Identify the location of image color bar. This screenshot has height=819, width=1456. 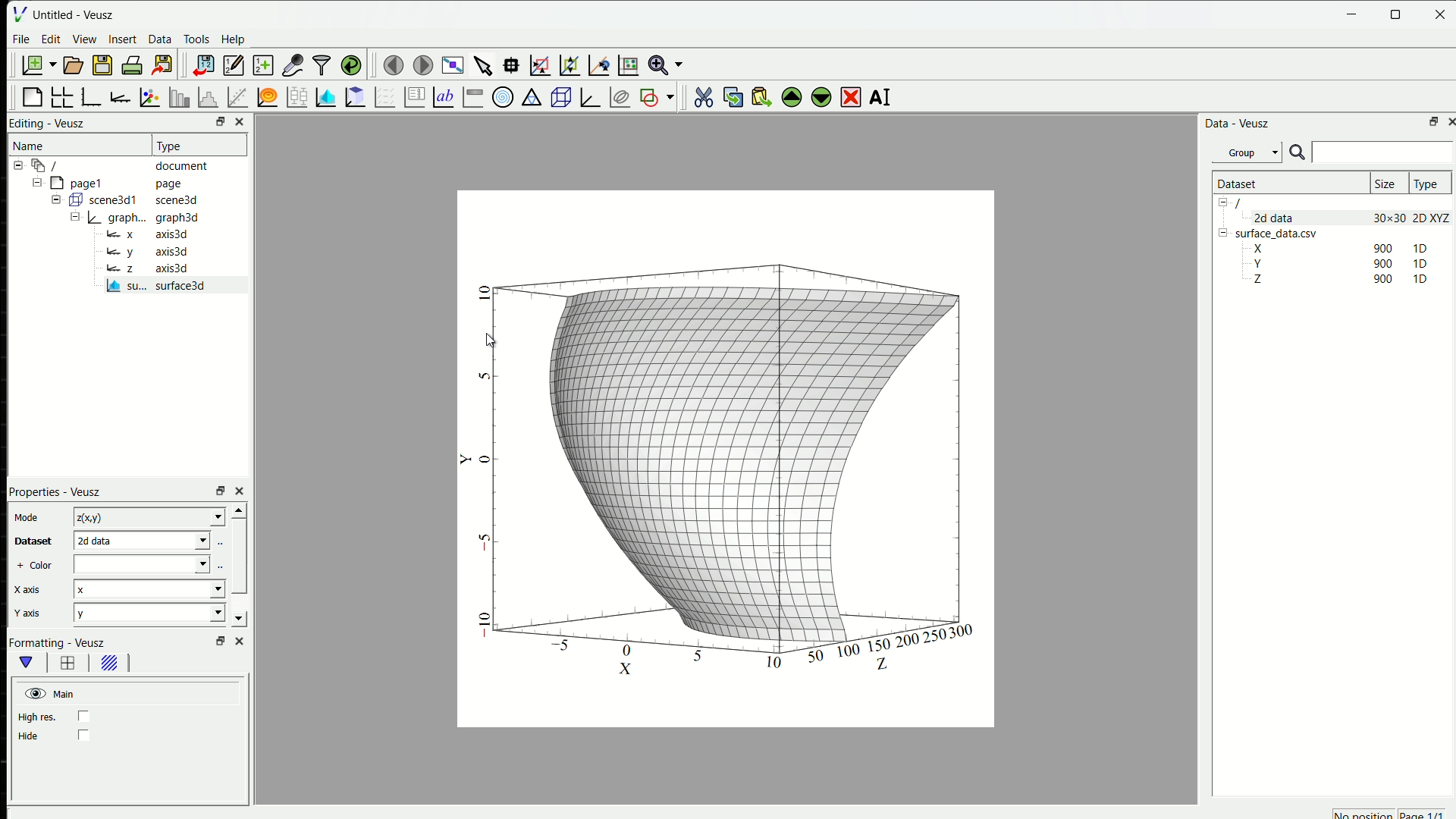
(475, 97).